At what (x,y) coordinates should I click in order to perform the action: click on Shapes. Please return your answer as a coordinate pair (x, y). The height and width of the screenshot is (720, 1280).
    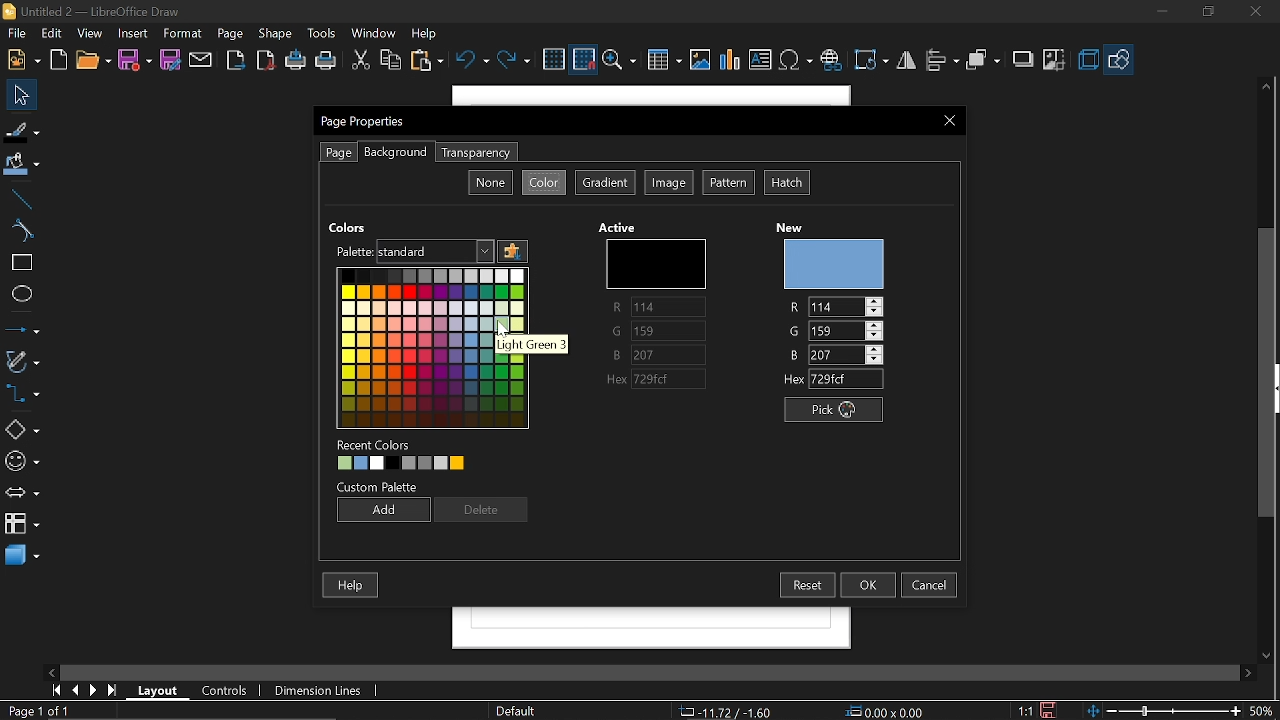
    Looking at the image, I should click on (22, 428).